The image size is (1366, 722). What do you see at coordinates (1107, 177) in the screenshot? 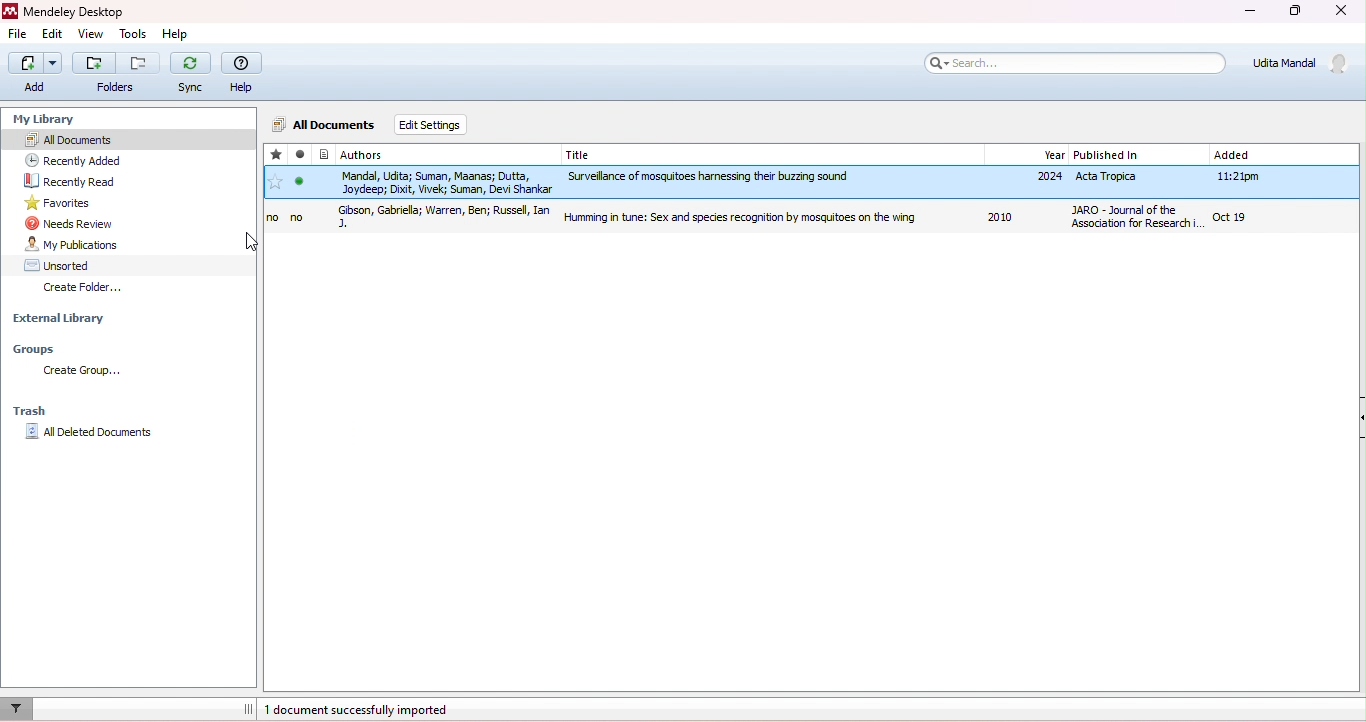
I see `Acta Tropica` at bounding box center [1107, 177].